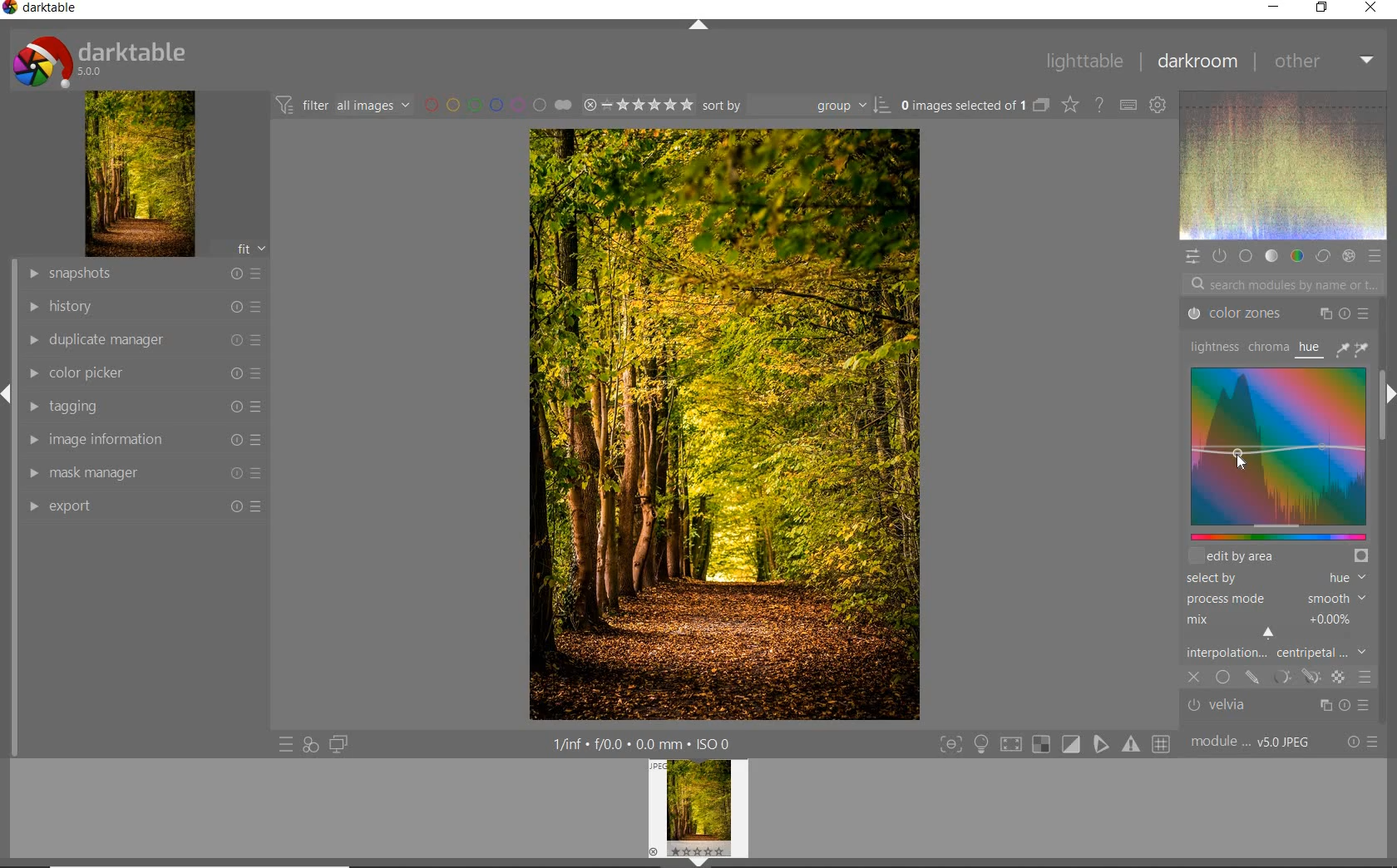  What do you see at coordinates (141, 373) in the screenshot?
I see `COLOR PICKER` at bounding box center [141, 373].